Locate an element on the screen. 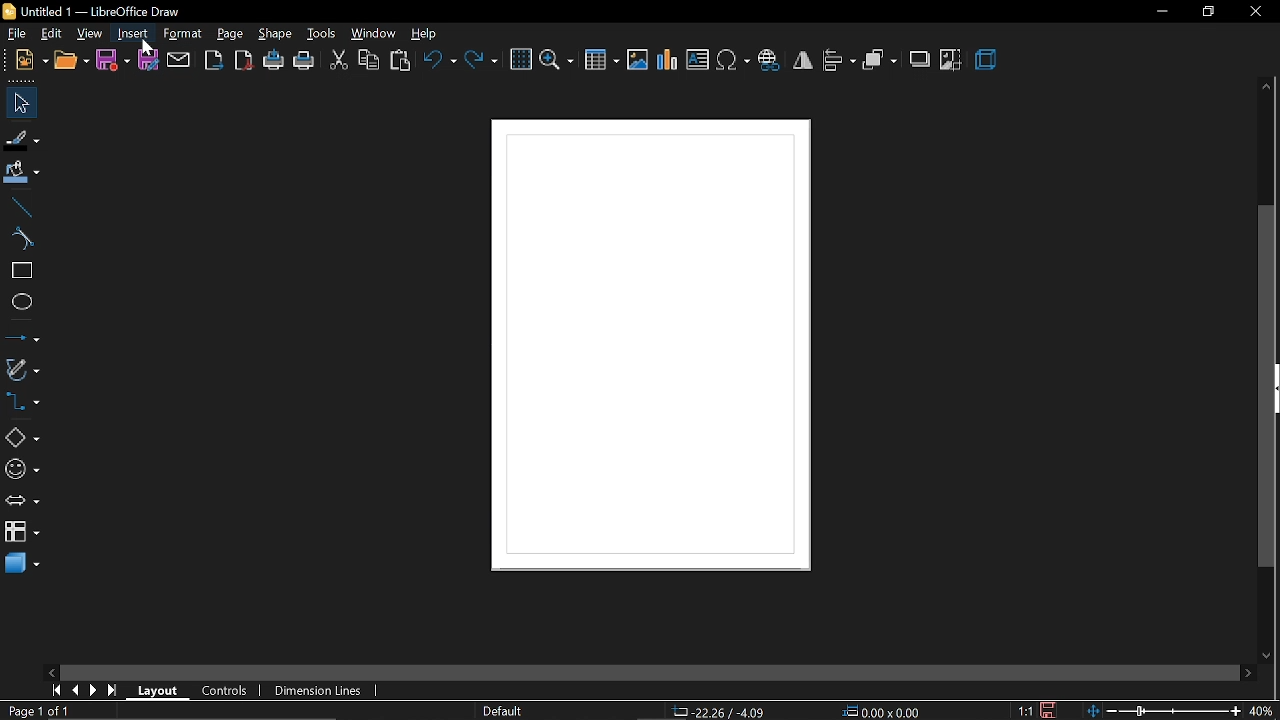  page is located at coordinates (230, 34).